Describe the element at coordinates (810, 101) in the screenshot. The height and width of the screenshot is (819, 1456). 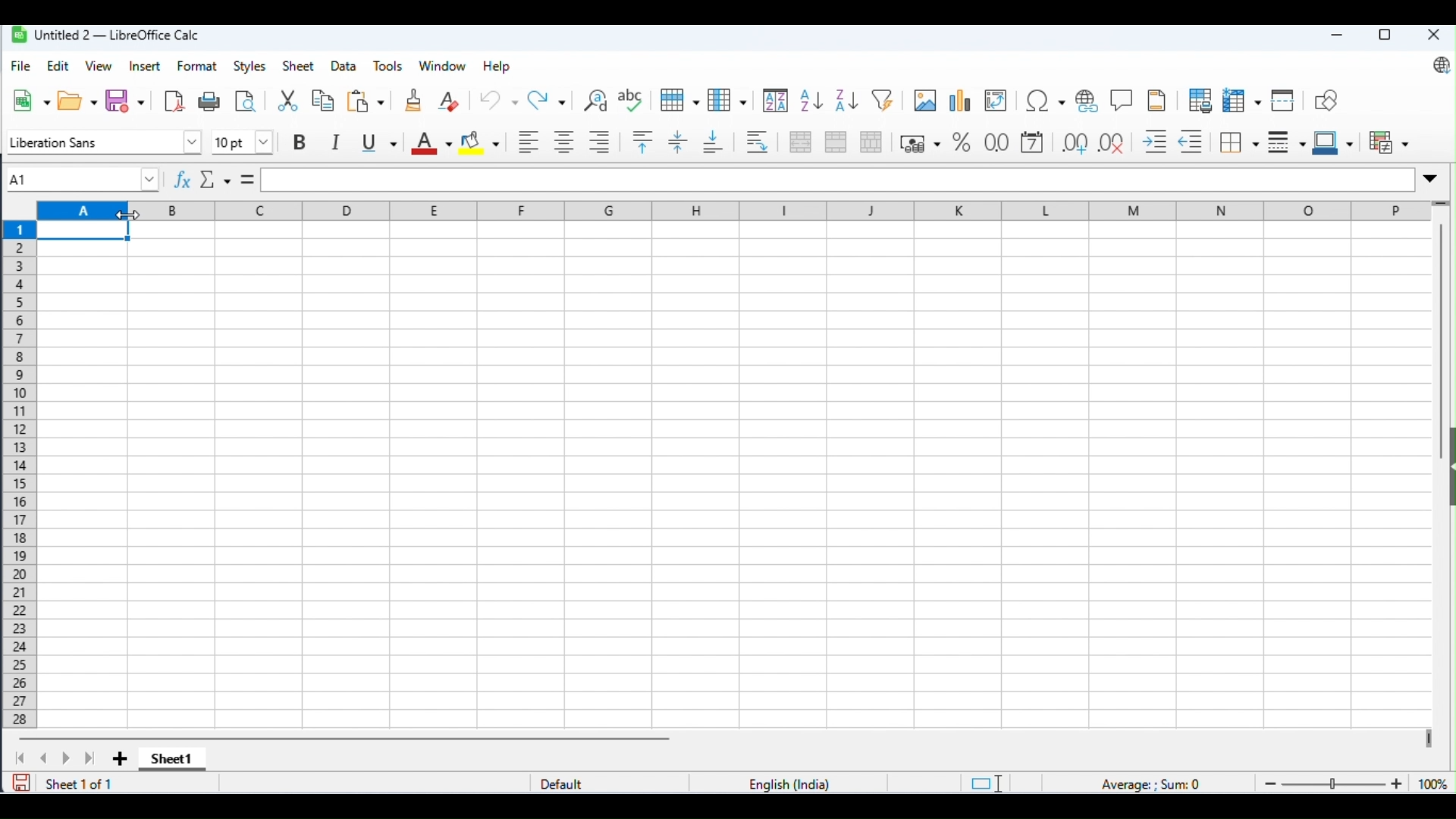
I see `sort ascending` at that location.